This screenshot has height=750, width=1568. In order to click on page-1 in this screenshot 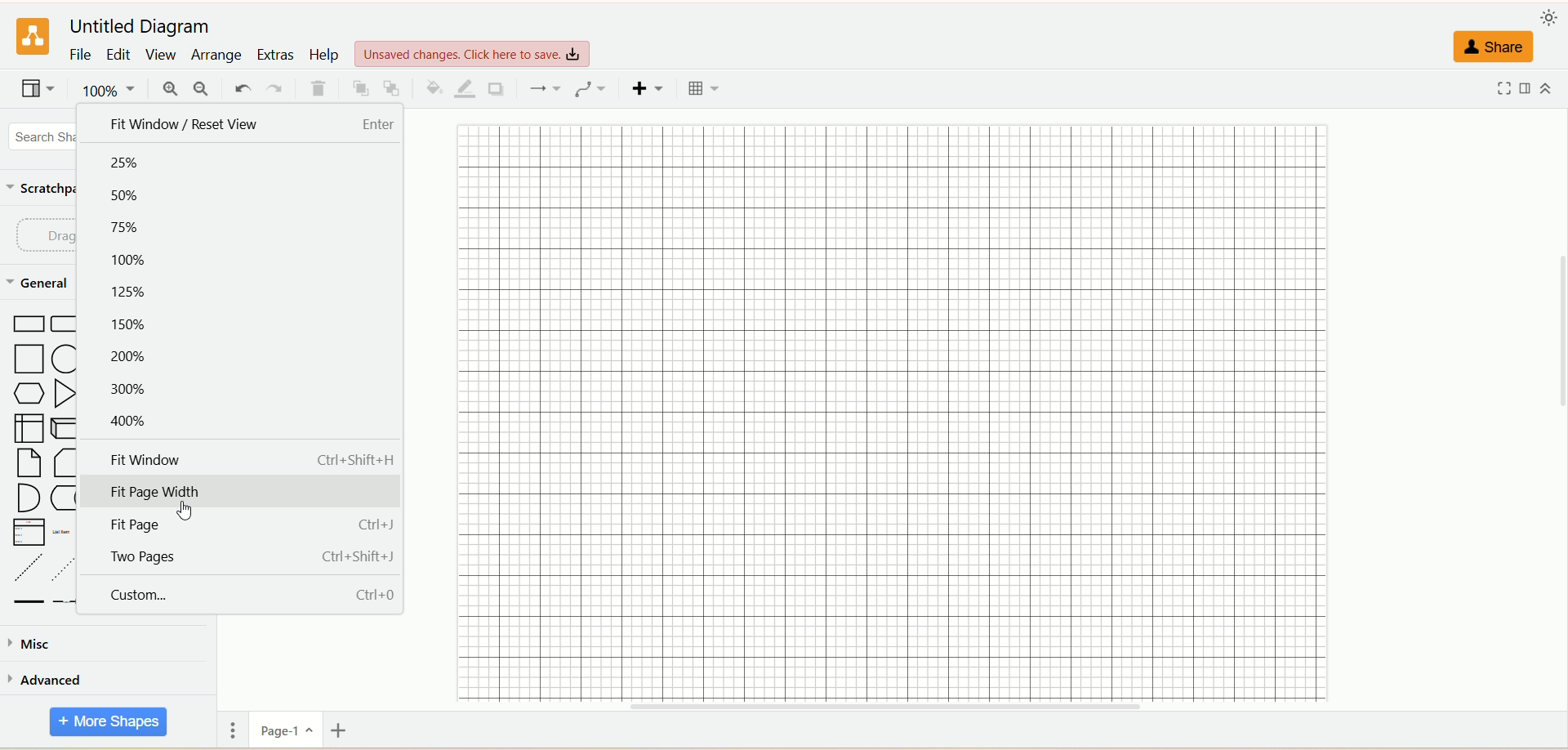, I will do `click(288, 730)`.